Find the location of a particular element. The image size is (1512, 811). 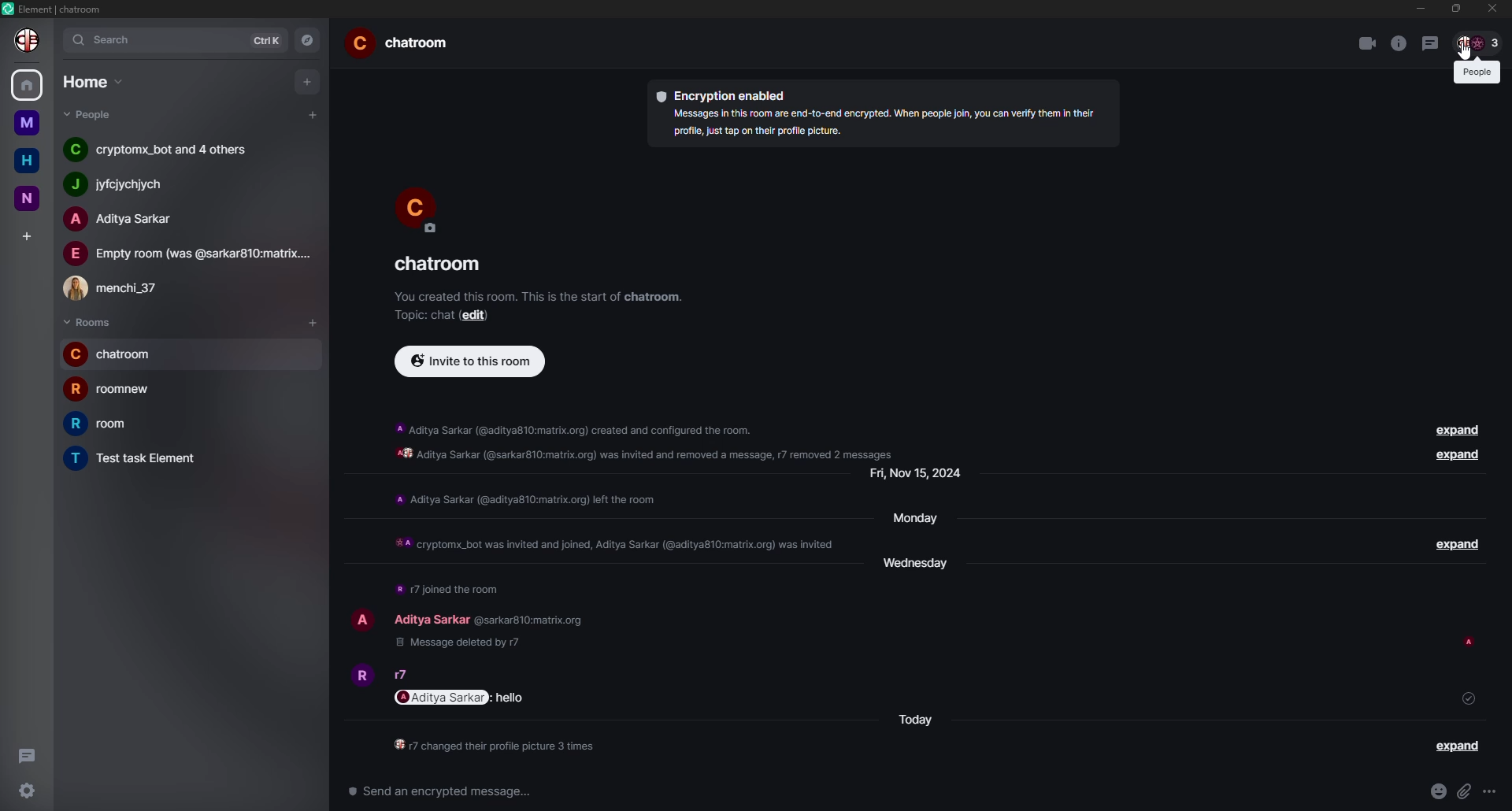

add is located at coordinates (317, 321).